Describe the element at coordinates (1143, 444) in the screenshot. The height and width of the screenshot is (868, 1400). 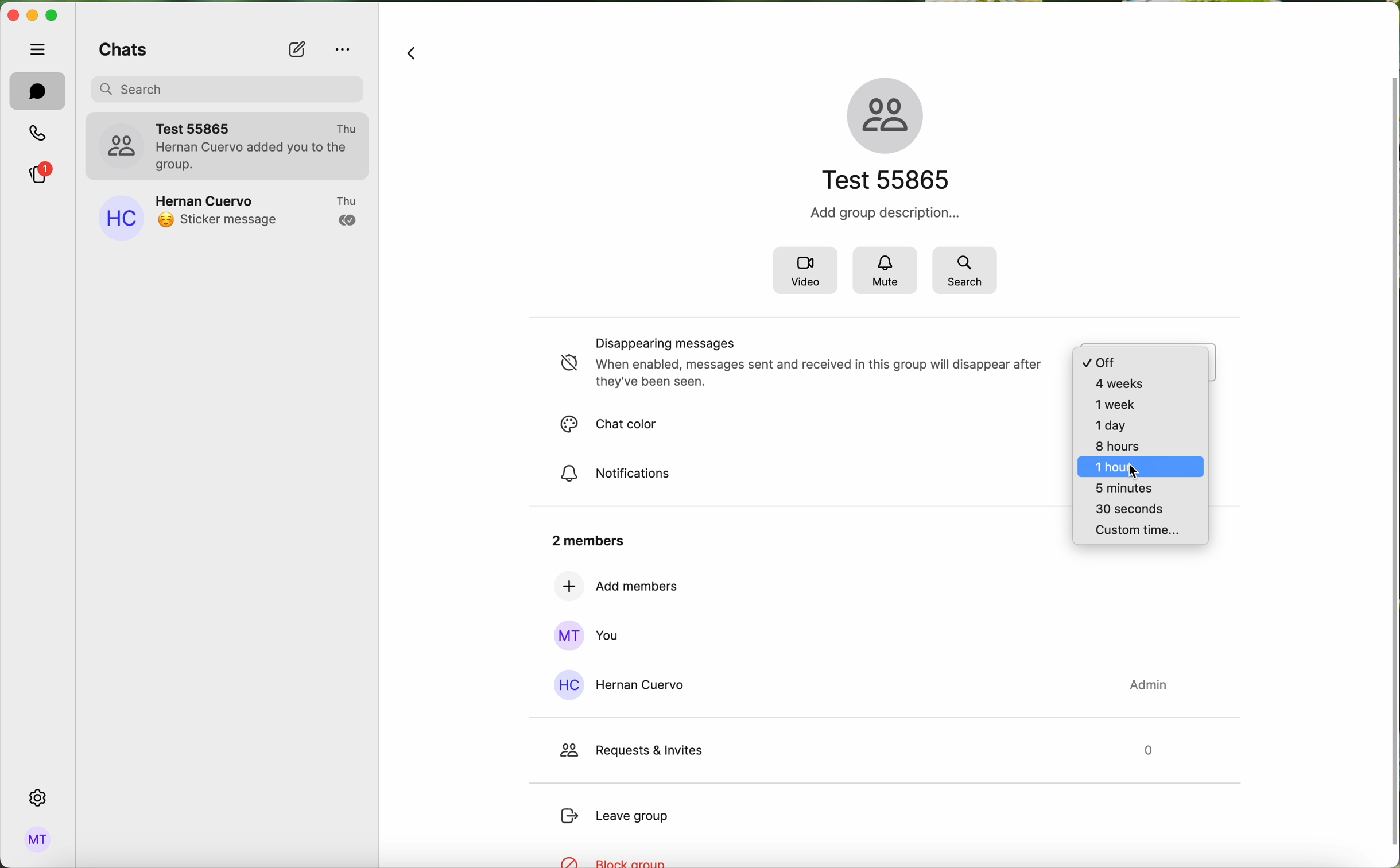
I see `timer options` at that location.